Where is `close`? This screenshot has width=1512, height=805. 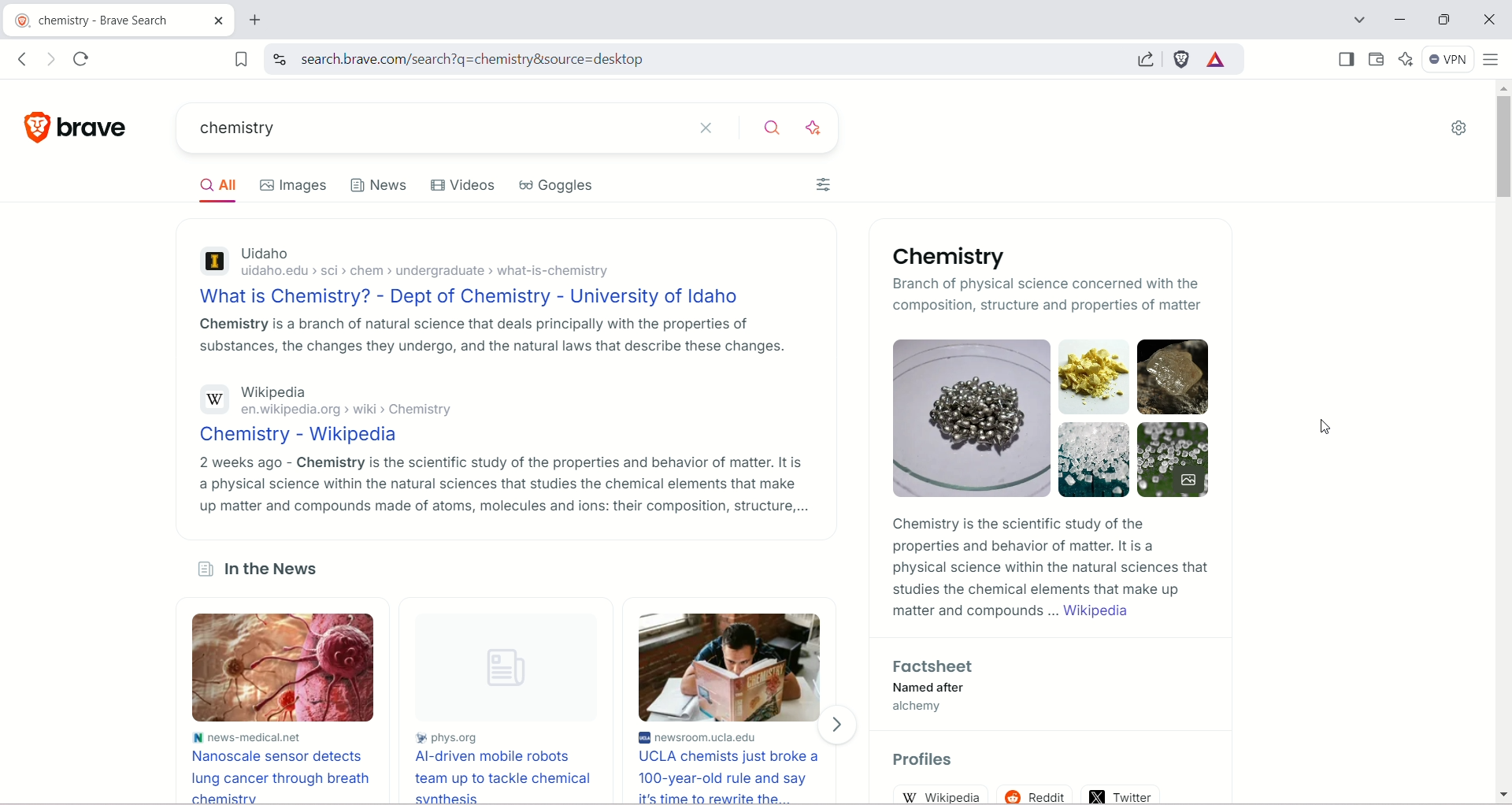 close is located at coordinates (710, 128).